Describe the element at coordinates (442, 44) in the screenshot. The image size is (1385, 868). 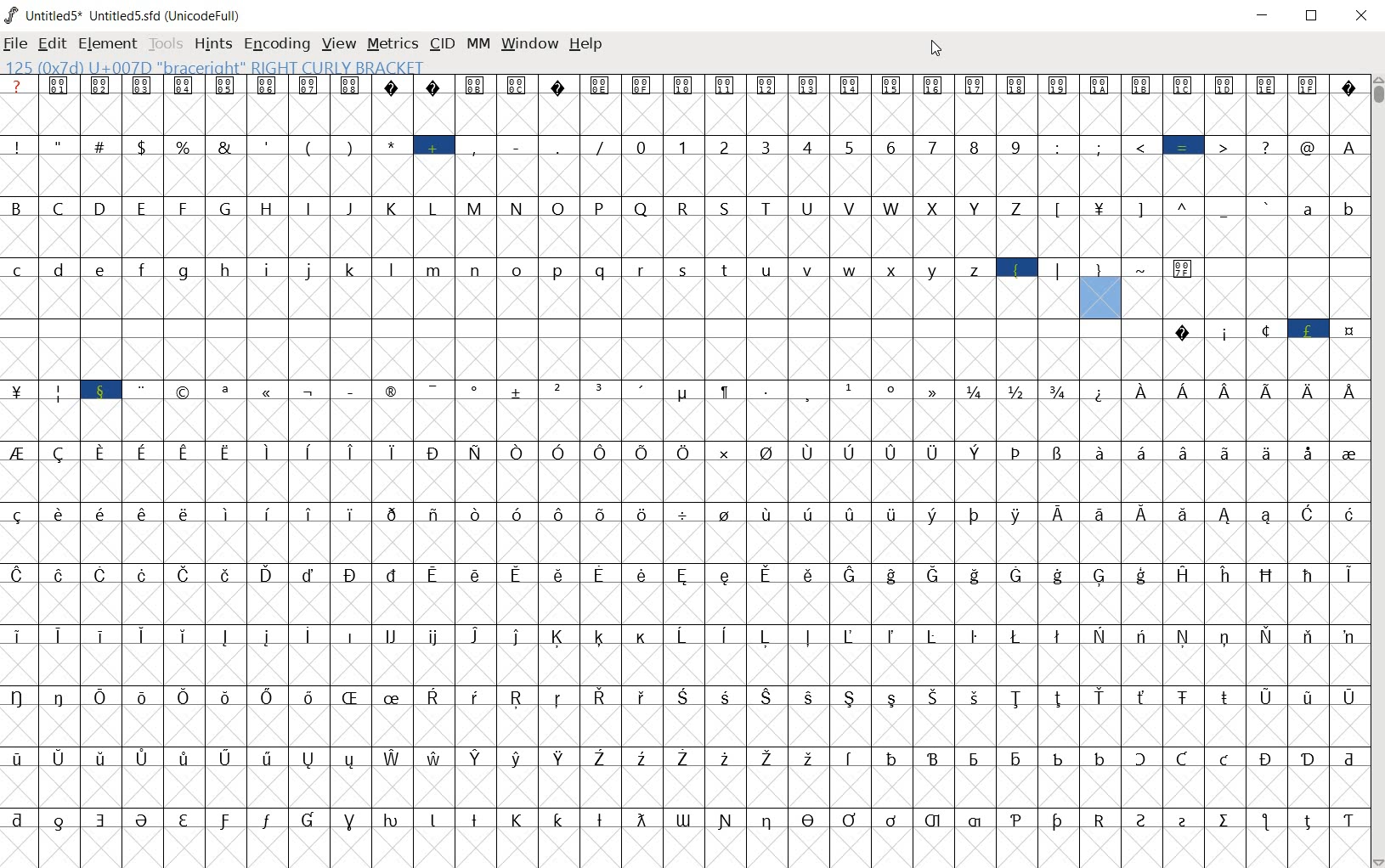
I see `CID` at that location.